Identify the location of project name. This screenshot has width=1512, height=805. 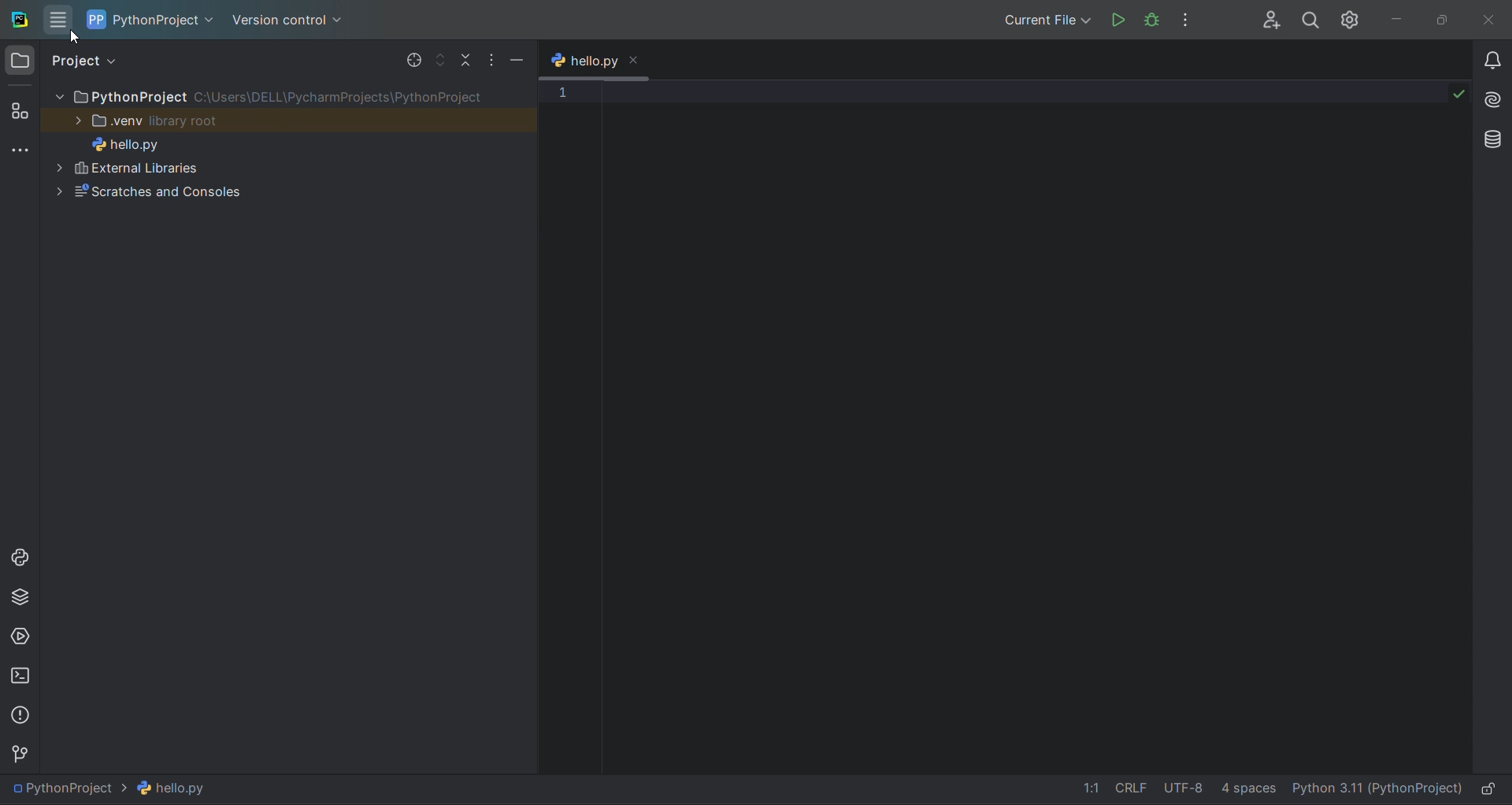
(152, 20).